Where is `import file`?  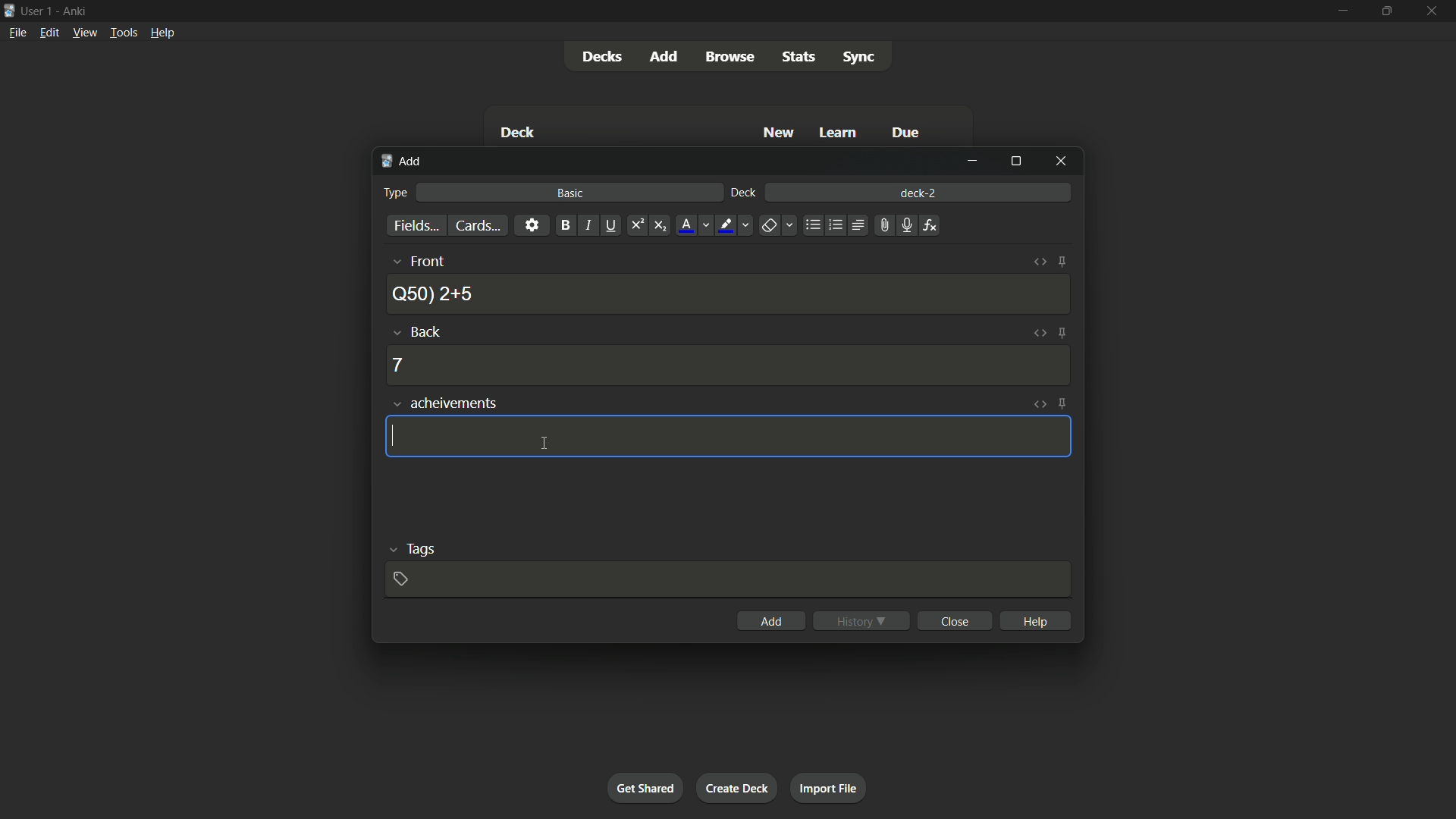
import file is located at coordinates (830, 789).